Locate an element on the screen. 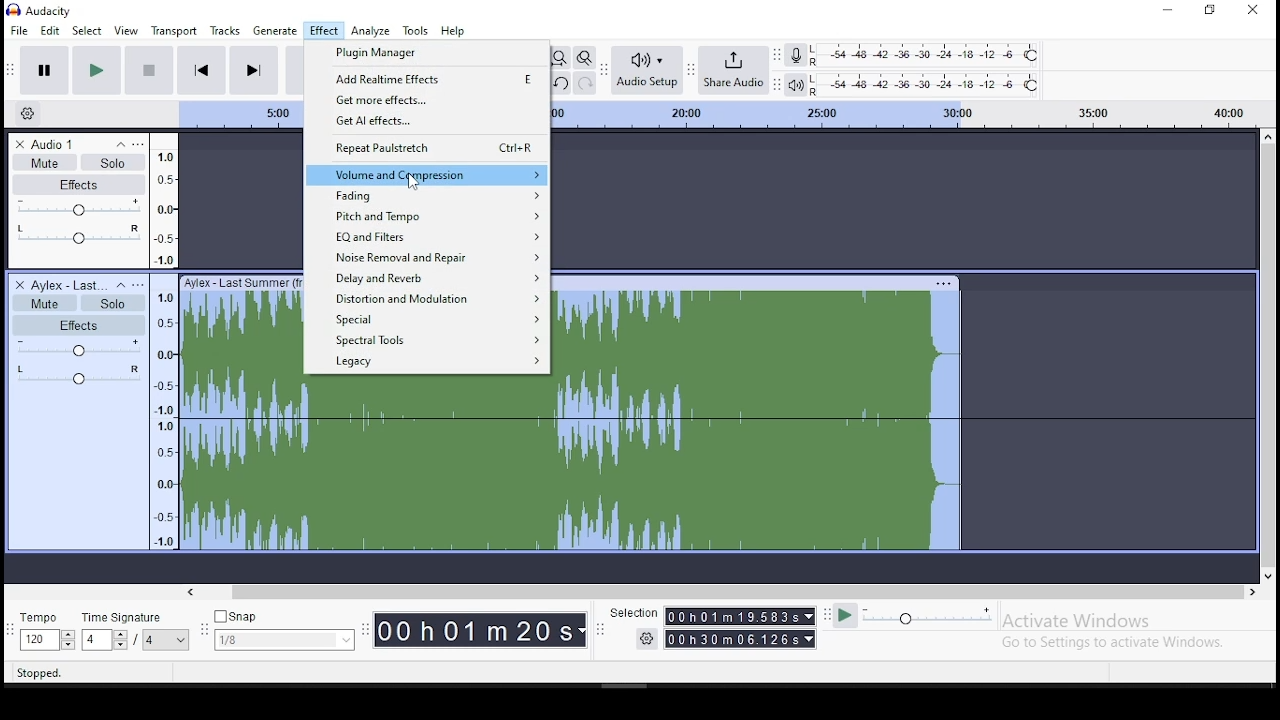  selection is located at coordinates (633, 614).